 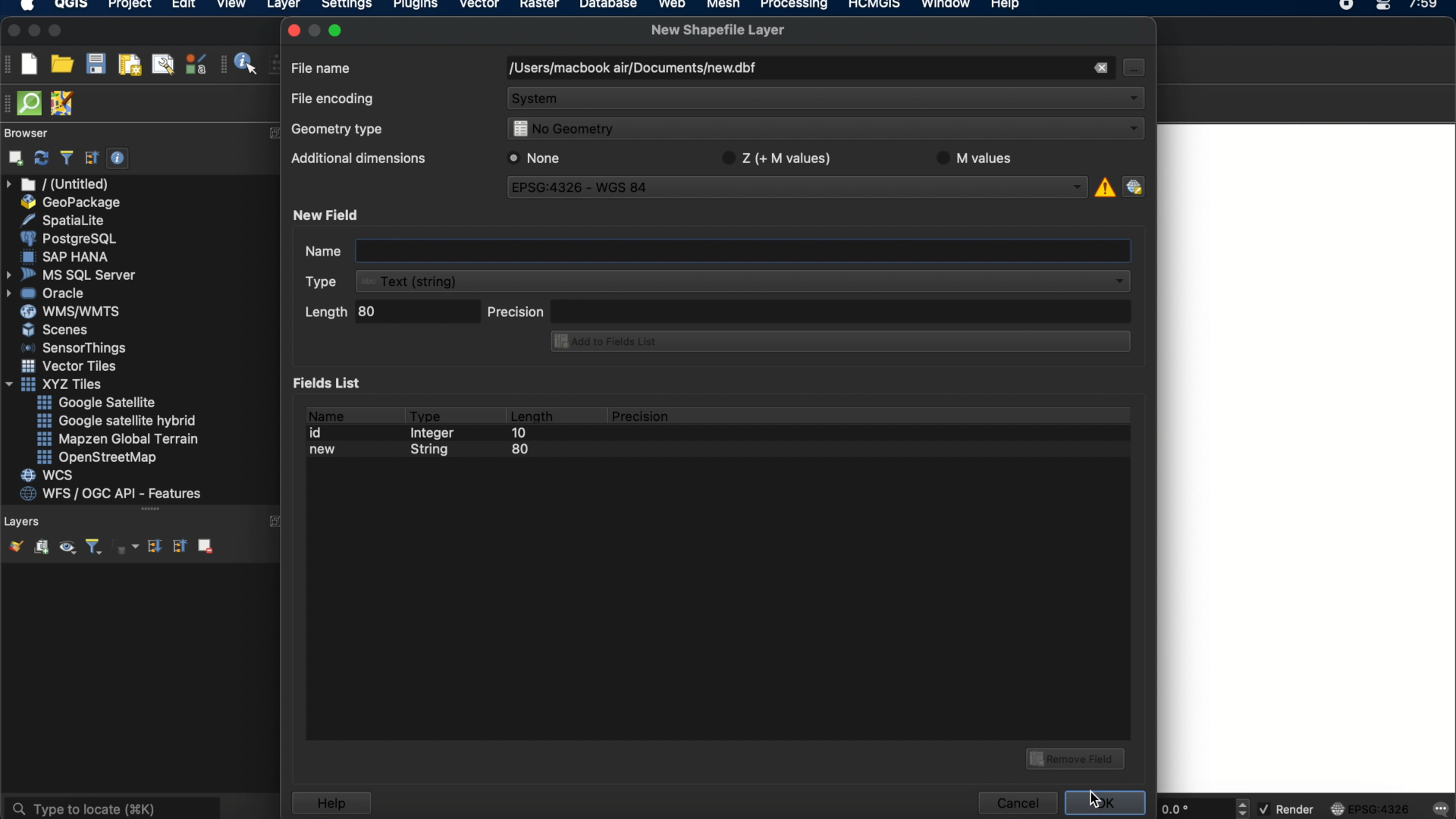 What do you see at coordinates (92, 158) in the screenshot?
I see `collapse all` at bounding box center [92, 158].